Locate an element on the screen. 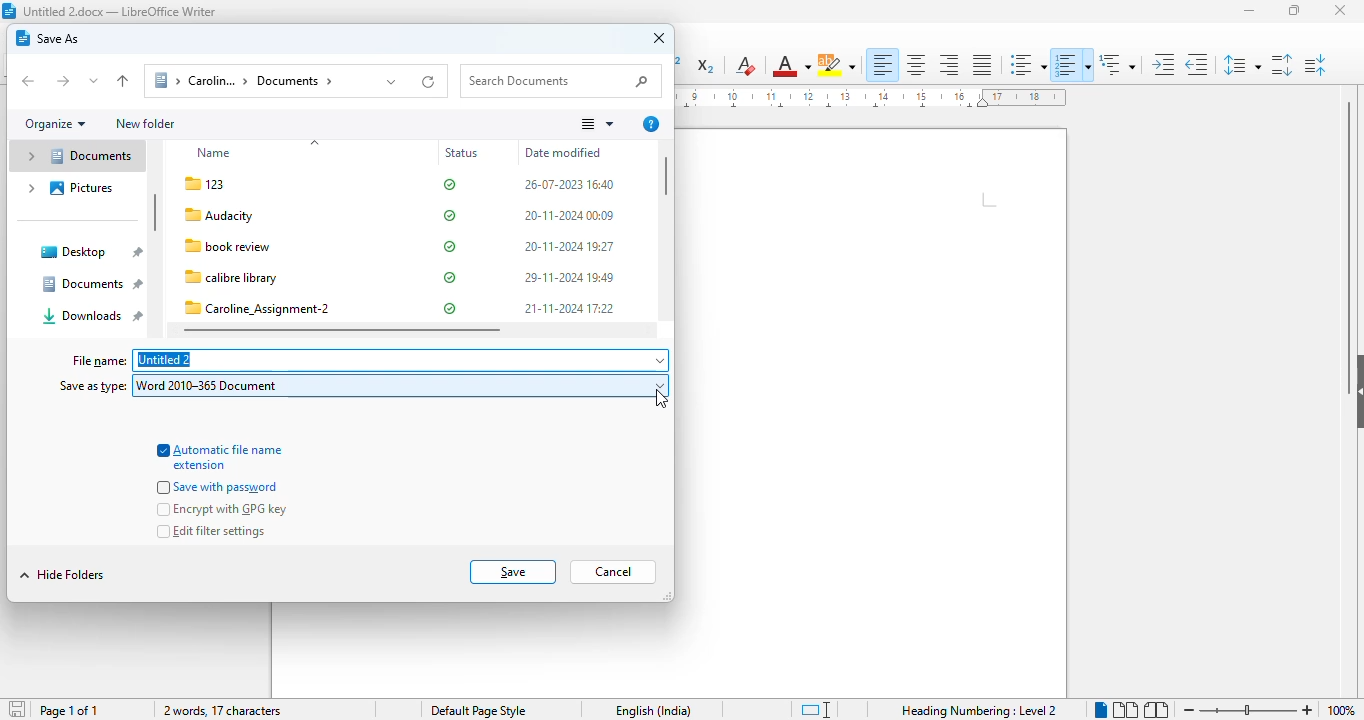 The width and height of the screenshot is (1364, 720). previous locations is located at coordinates (392, 81).